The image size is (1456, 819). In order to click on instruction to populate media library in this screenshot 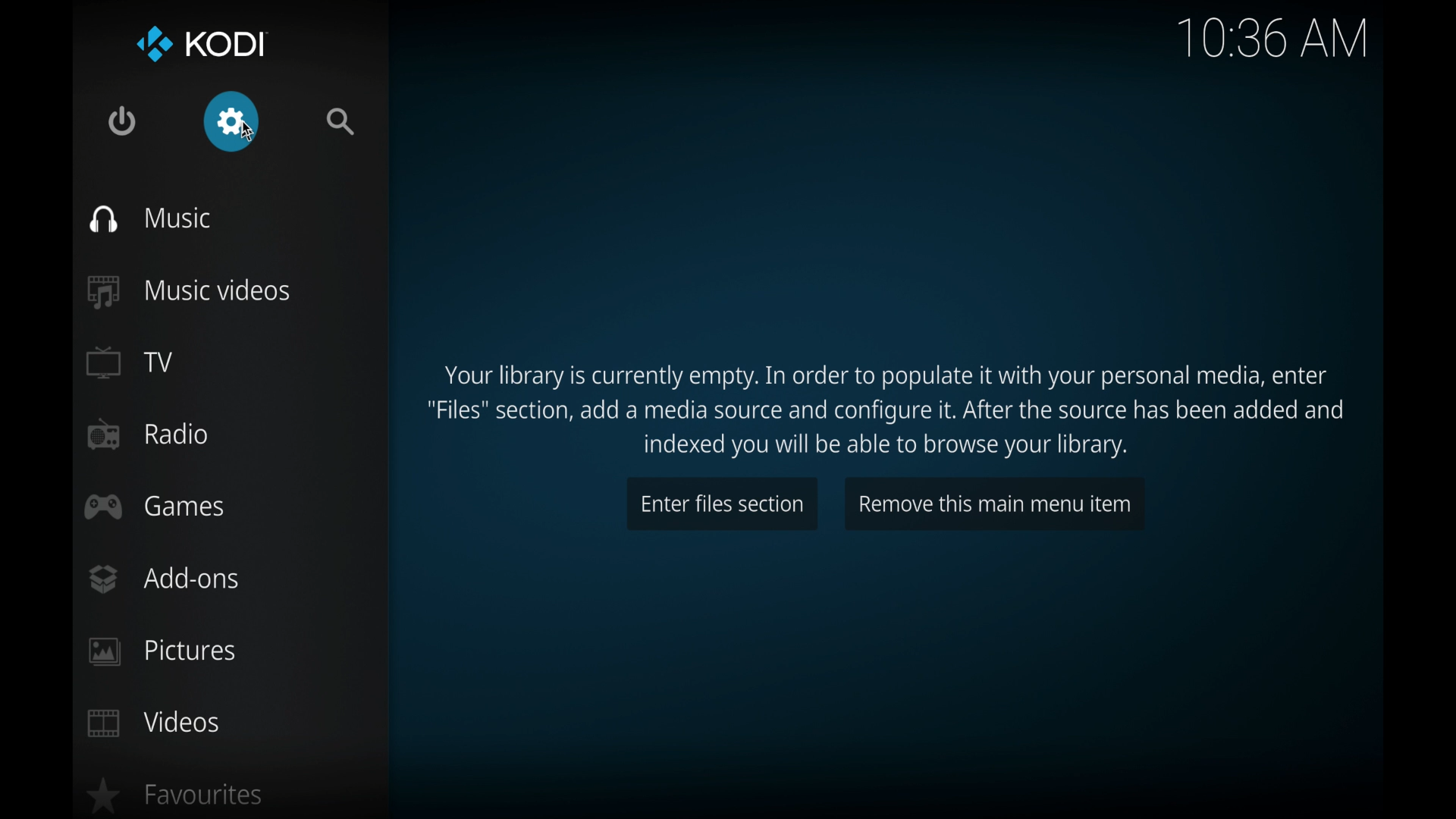, I will do `click(886, 413)`.